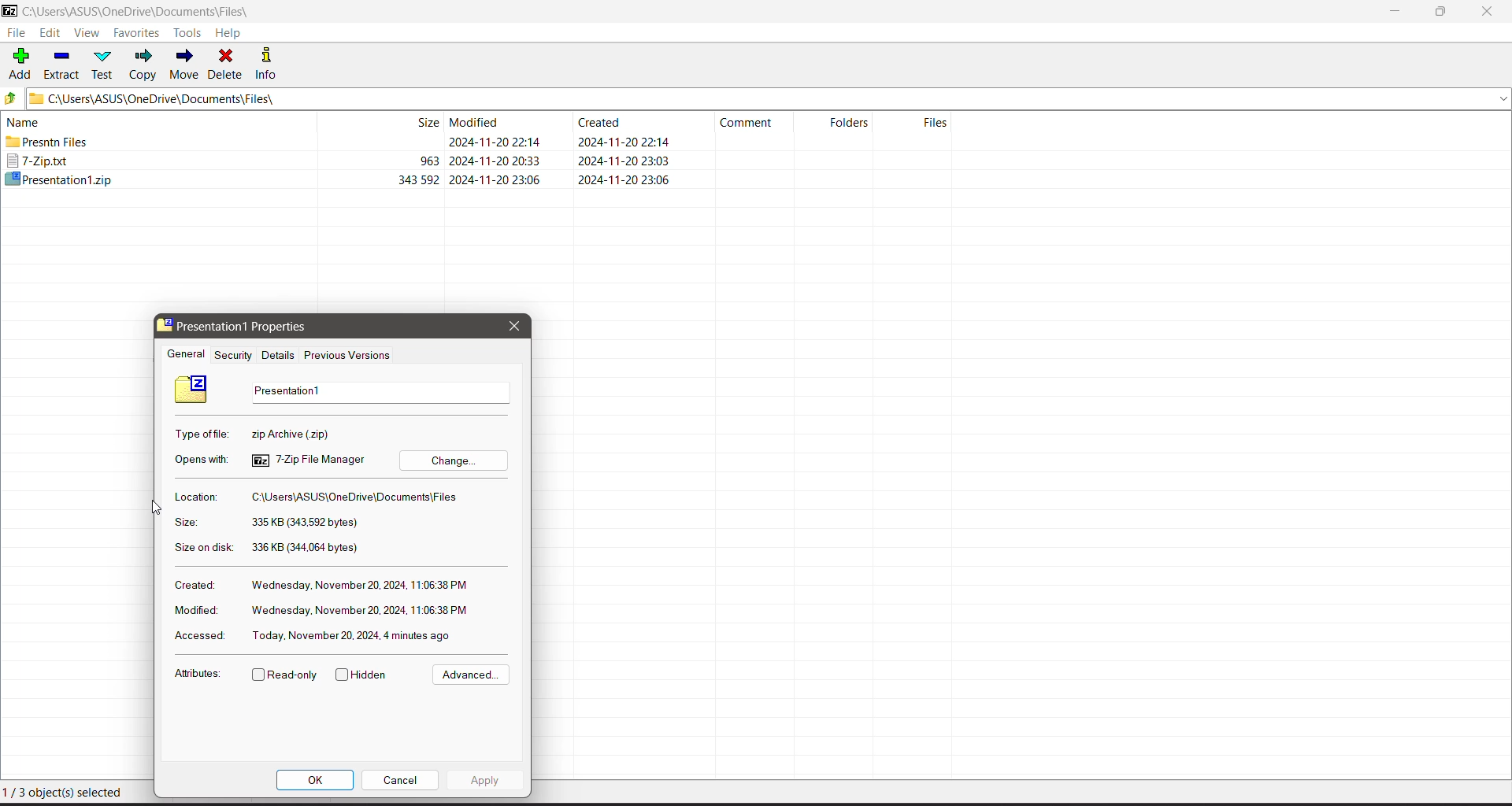  Describe the element at coordinates (194, 612) in the screenshot. I see `Modified` at that location.